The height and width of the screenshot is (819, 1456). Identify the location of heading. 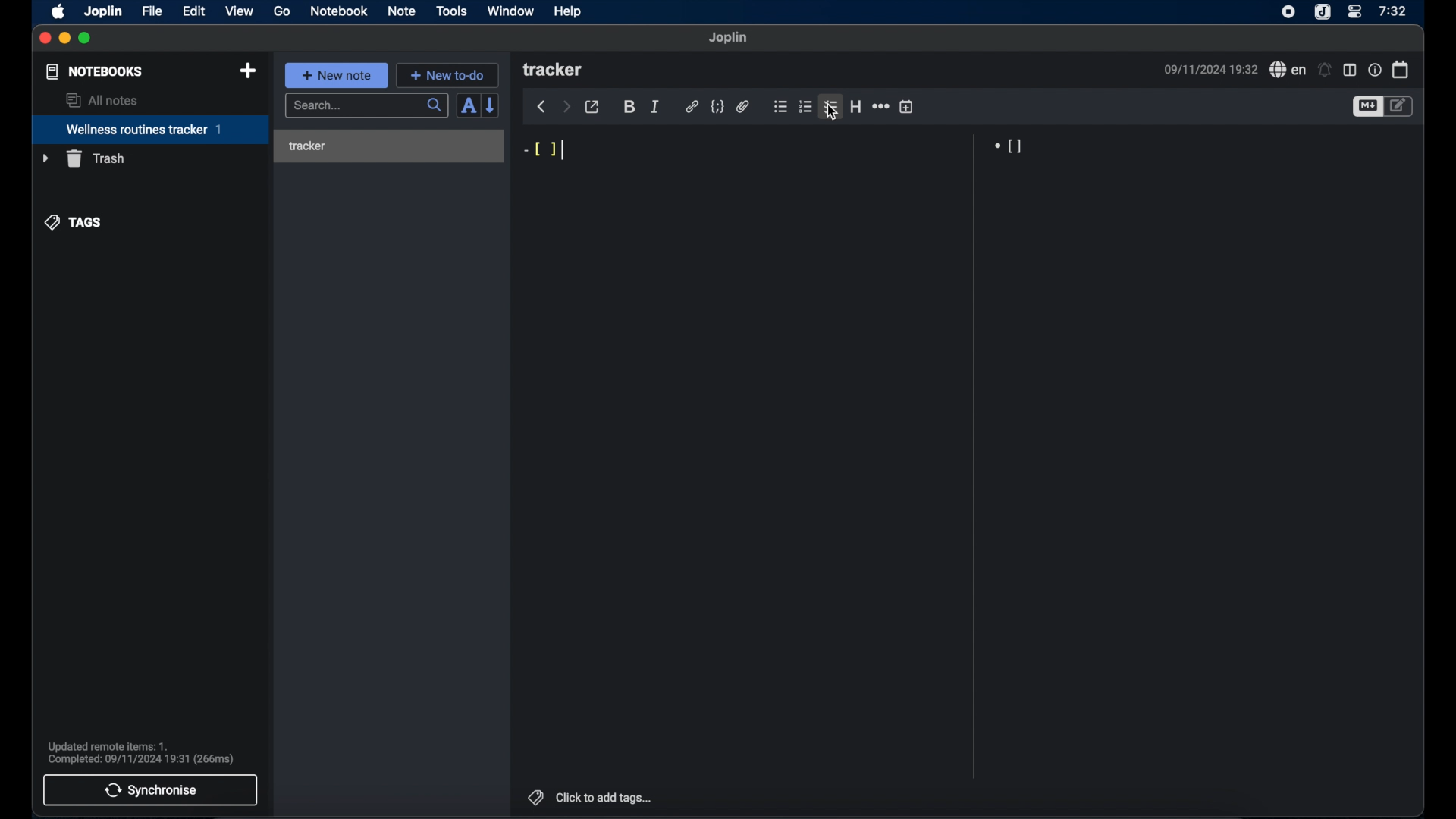
(855, 106).